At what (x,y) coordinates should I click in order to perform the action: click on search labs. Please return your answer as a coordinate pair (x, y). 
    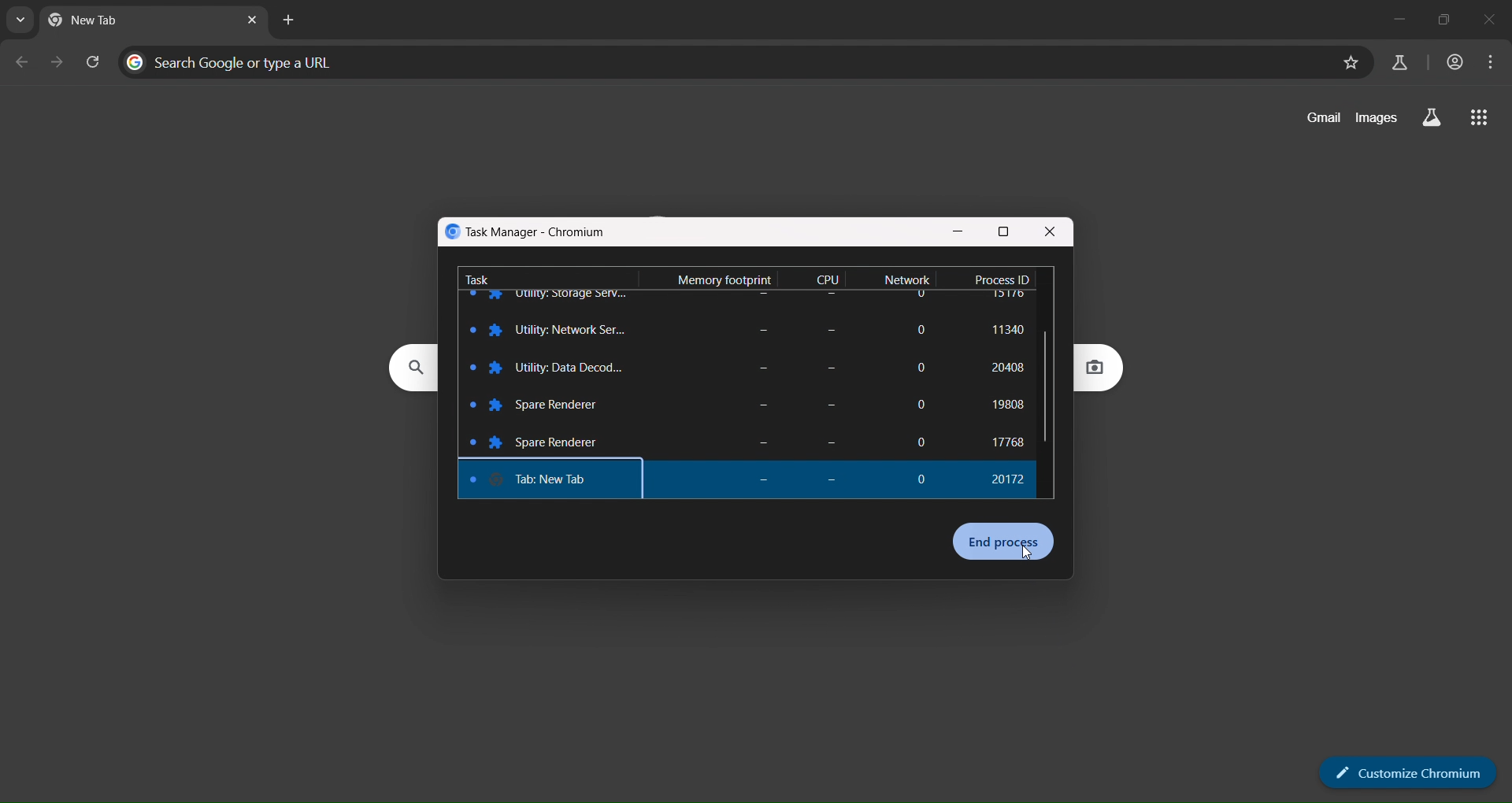
    Looking at the image, I should click on (1429, 117).